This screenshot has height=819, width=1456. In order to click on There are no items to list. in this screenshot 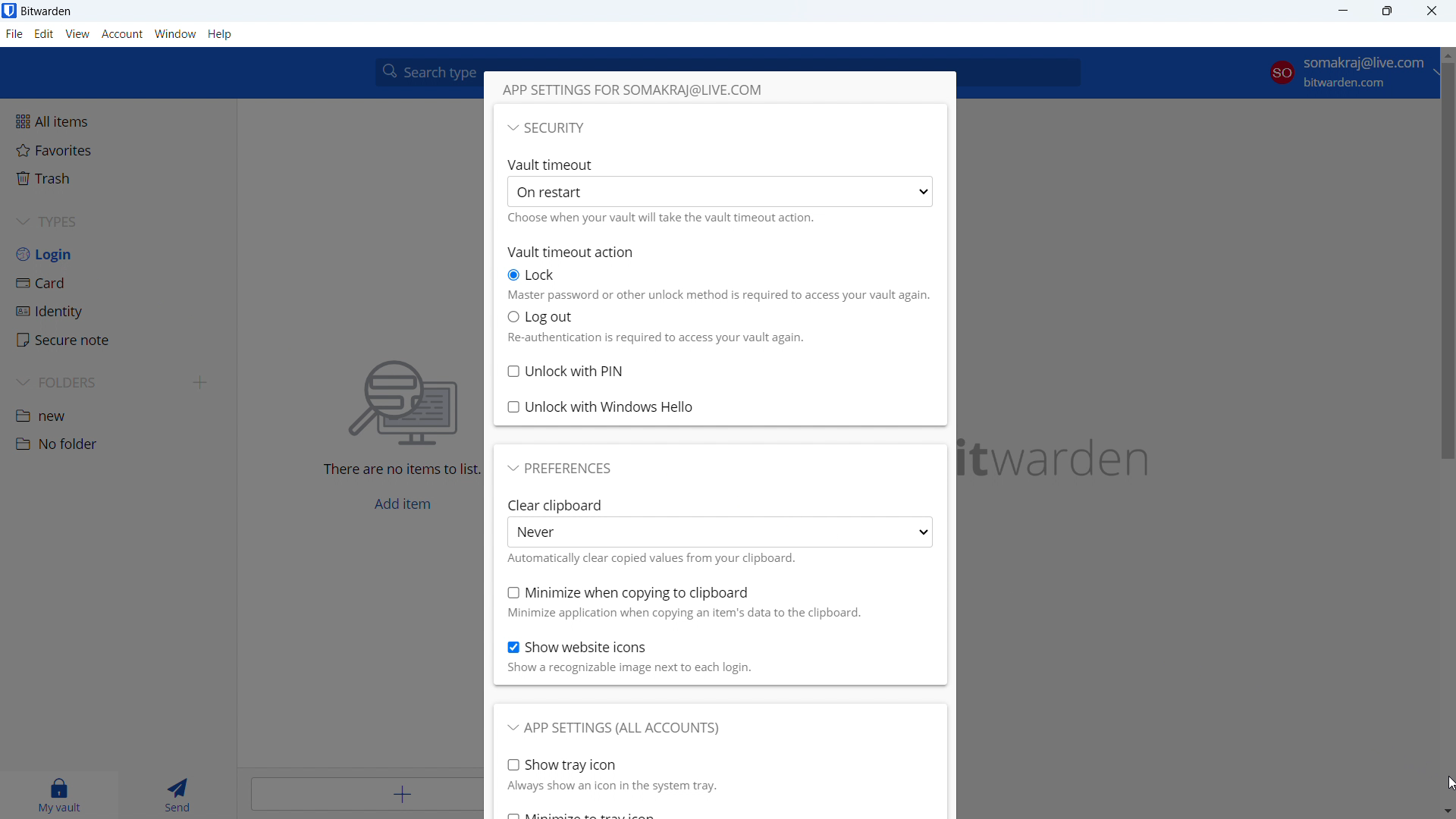, I will do `click(399, 472)`.